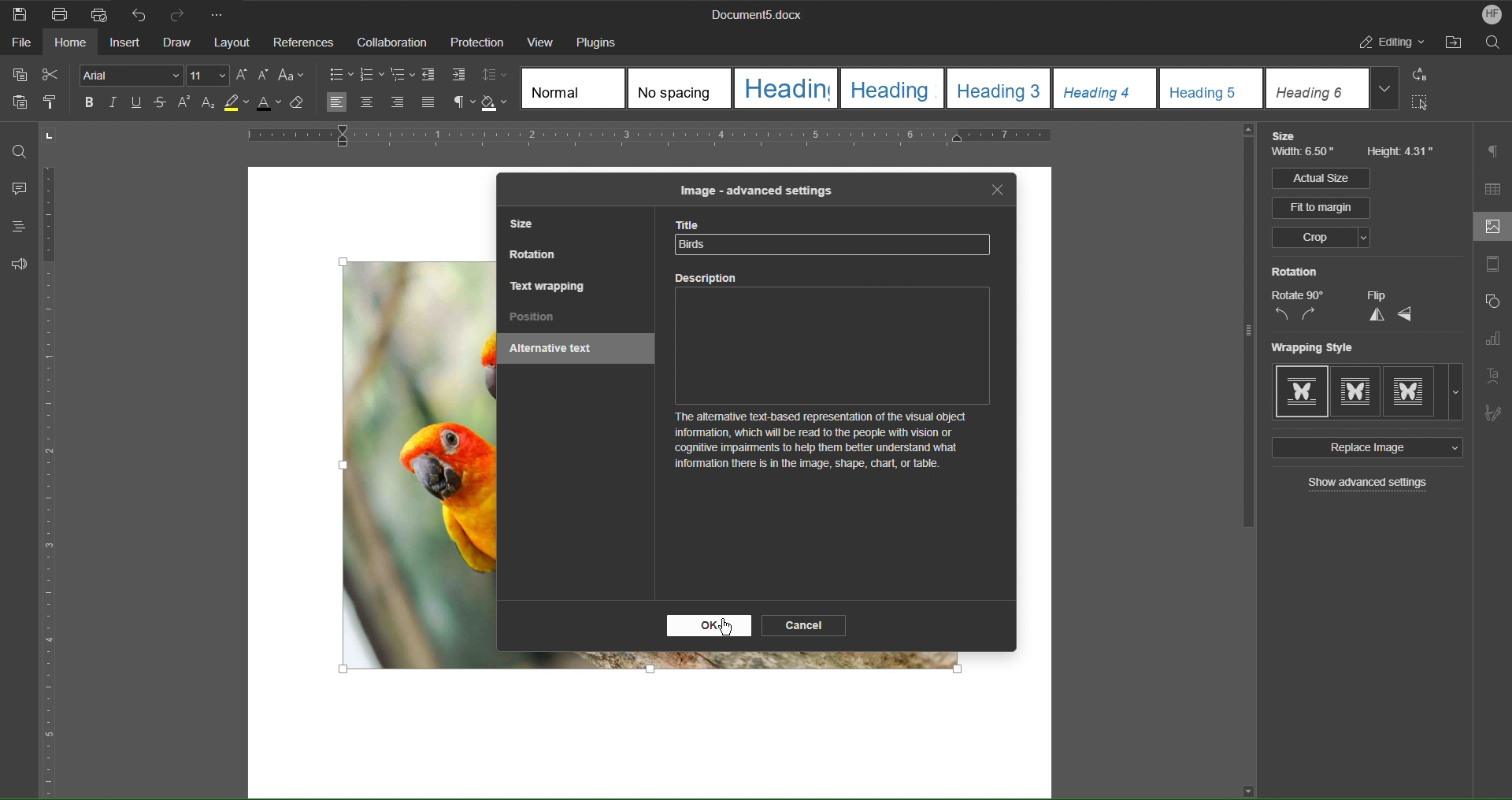 The image size is (1512, 800). I want to click on Size, so click(1288, 136).